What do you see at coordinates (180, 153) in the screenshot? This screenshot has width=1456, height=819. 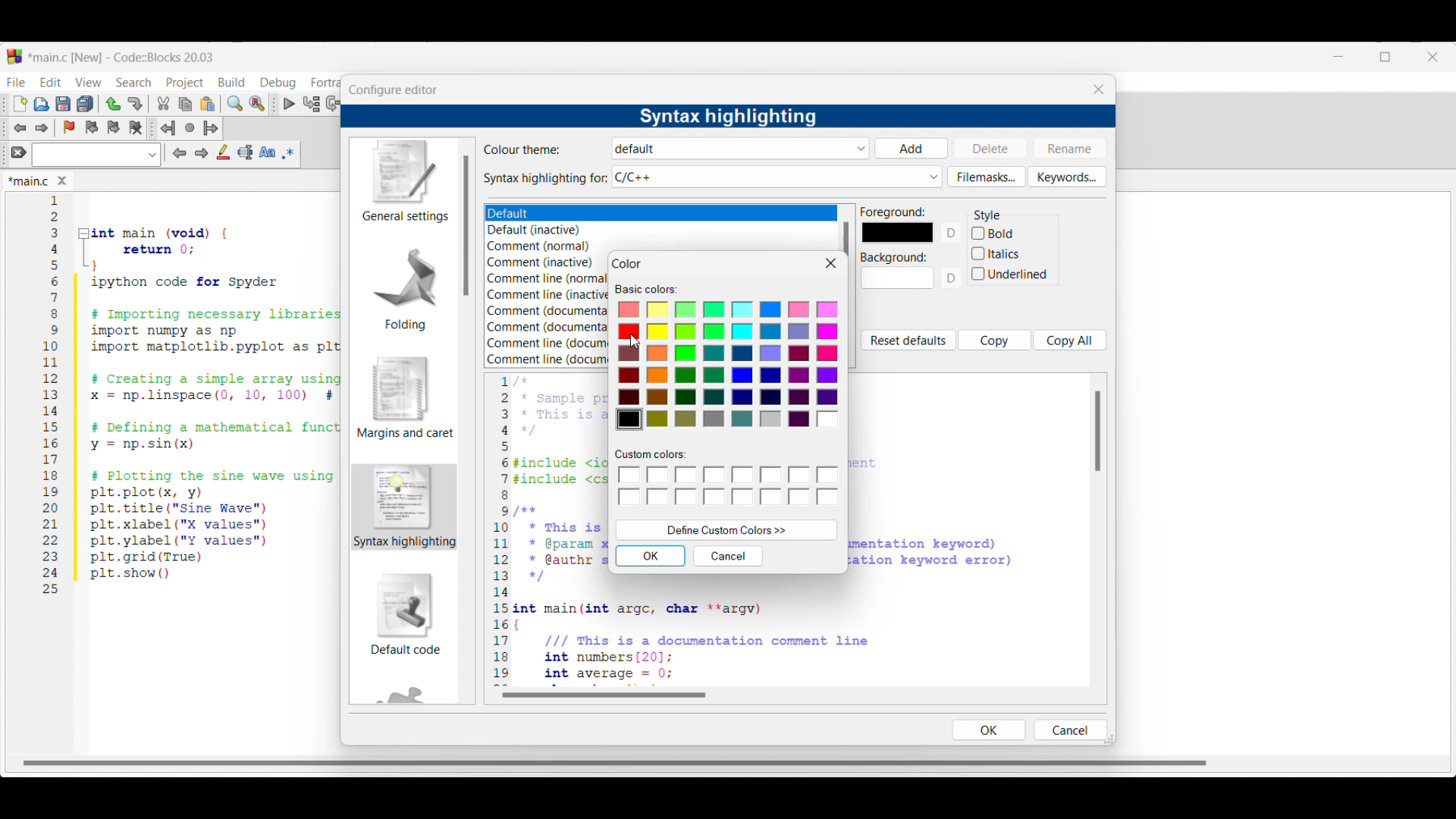 I see `Previous` at bounding box center [180, 153].